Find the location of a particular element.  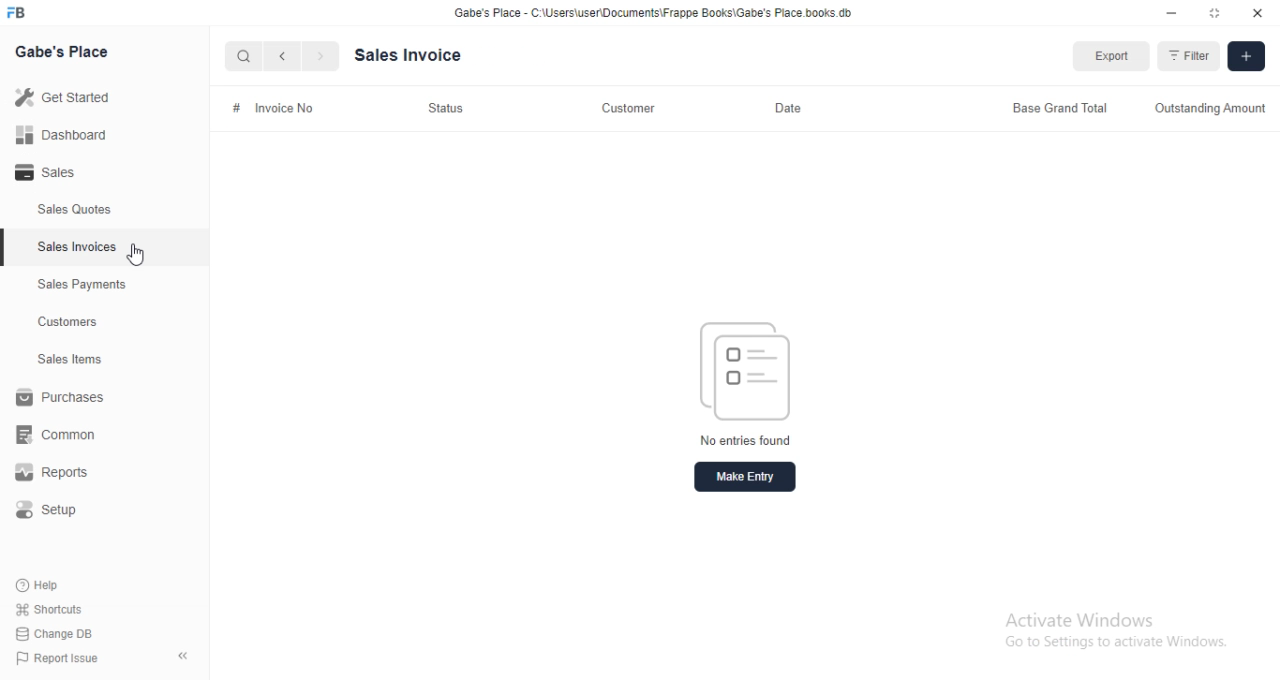

Get started is located at coordinates (65, 97).